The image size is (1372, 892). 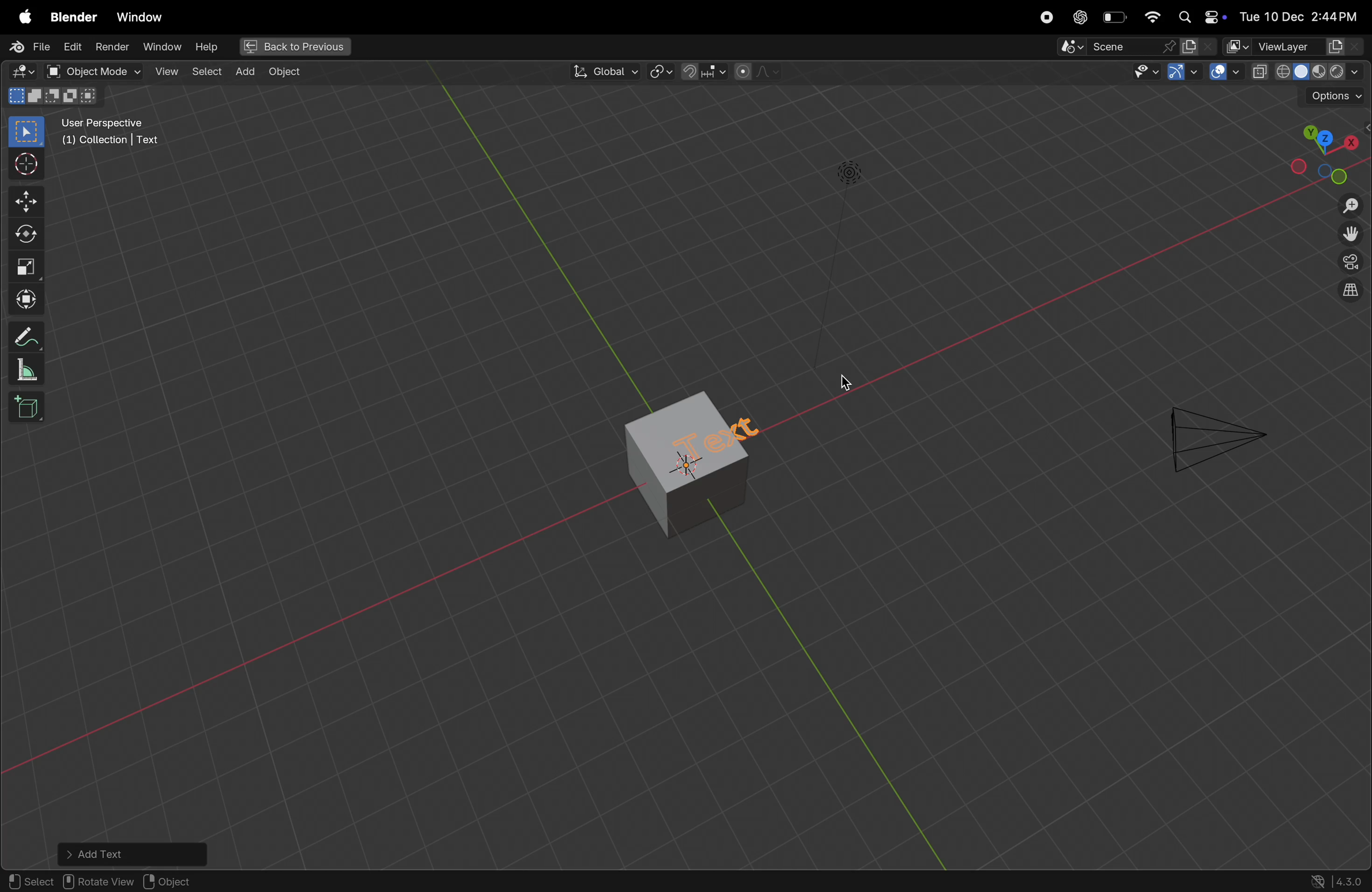 I want to click on display mode, so click(x=1199, y=47).